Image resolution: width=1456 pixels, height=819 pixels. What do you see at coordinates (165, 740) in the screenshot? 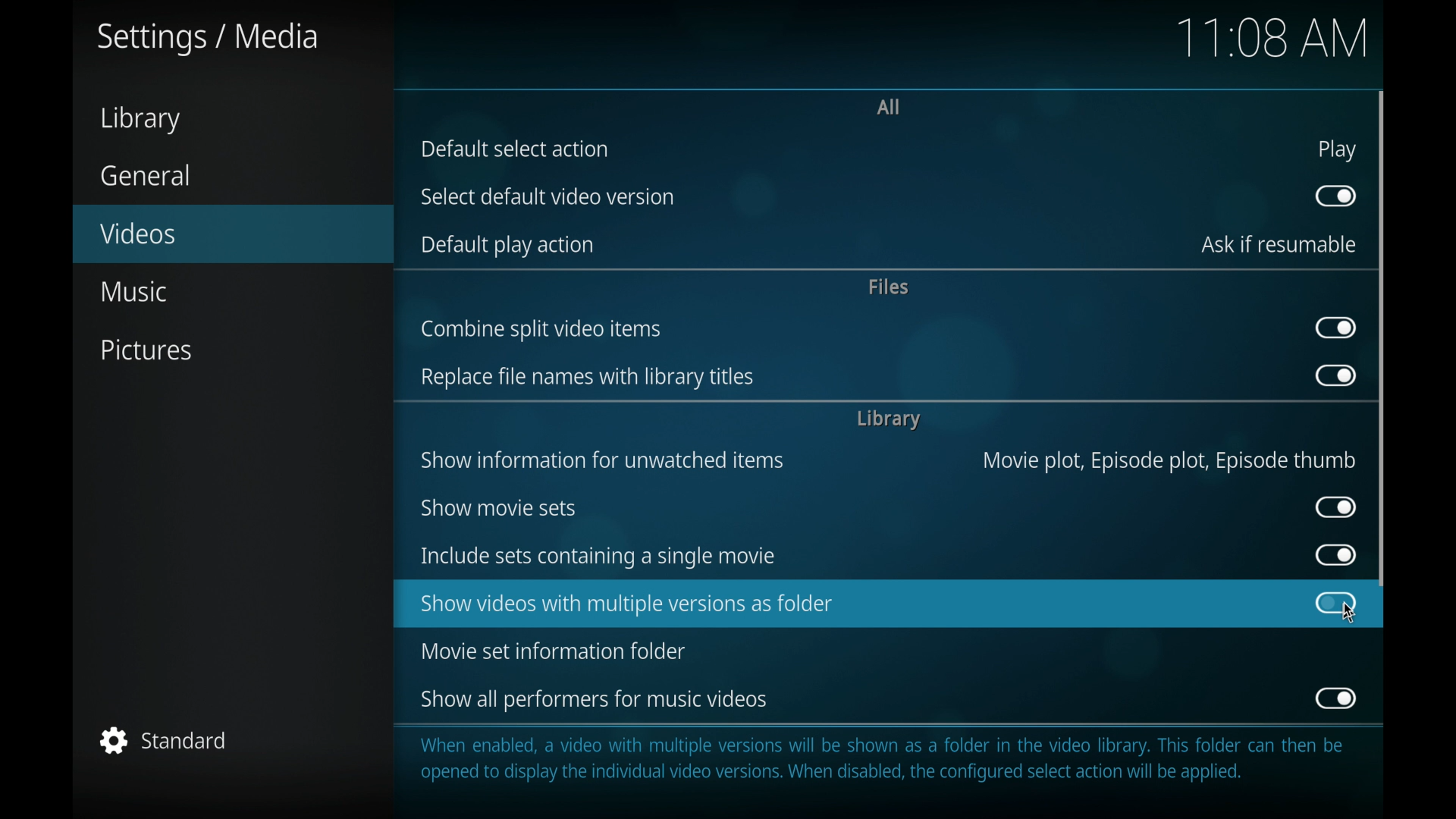
I see `standard` at bounding box center [165, 740].